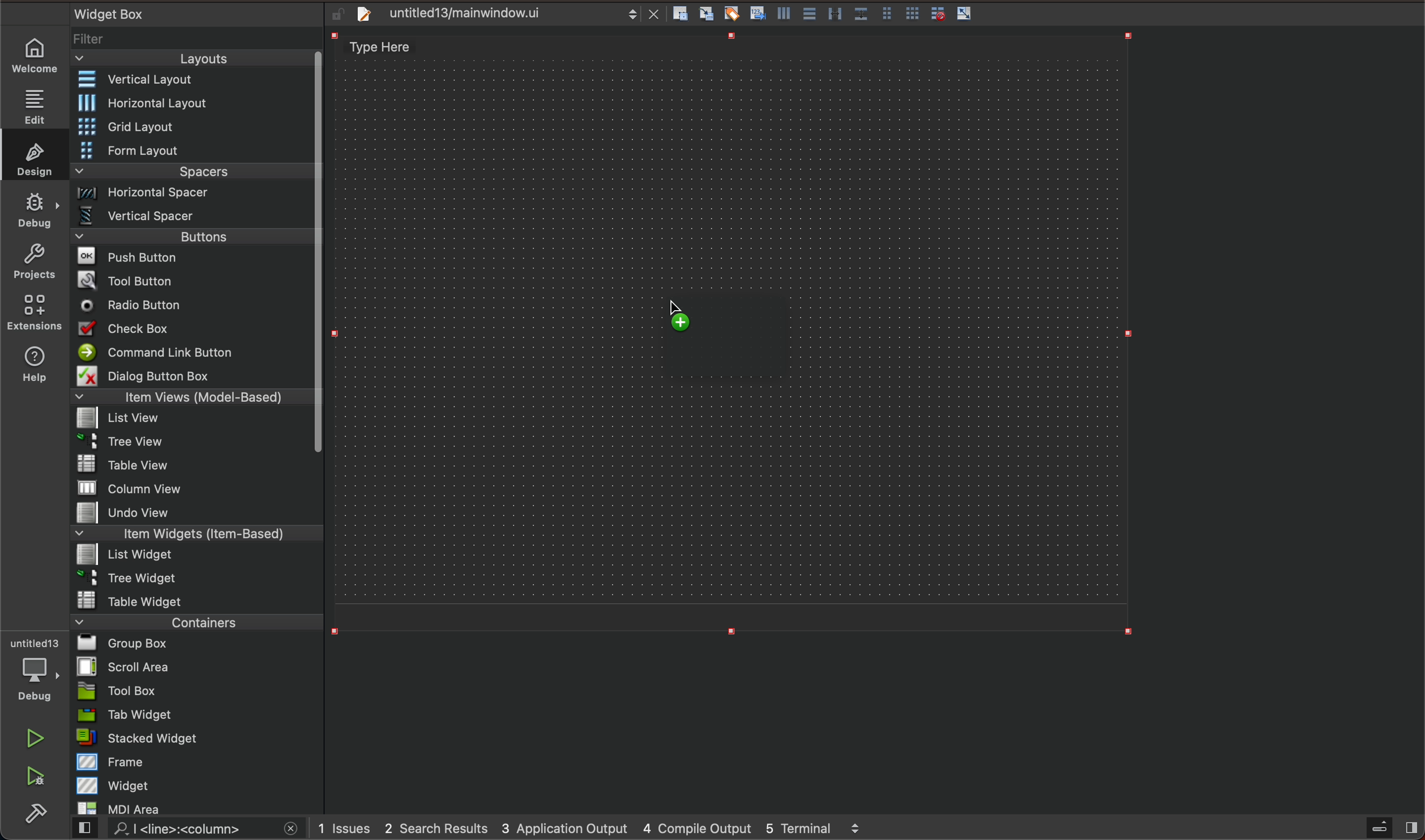  What do you see at coordinates (914, 14) in the screenshot?
I see `` at bounding box center [914, 14].